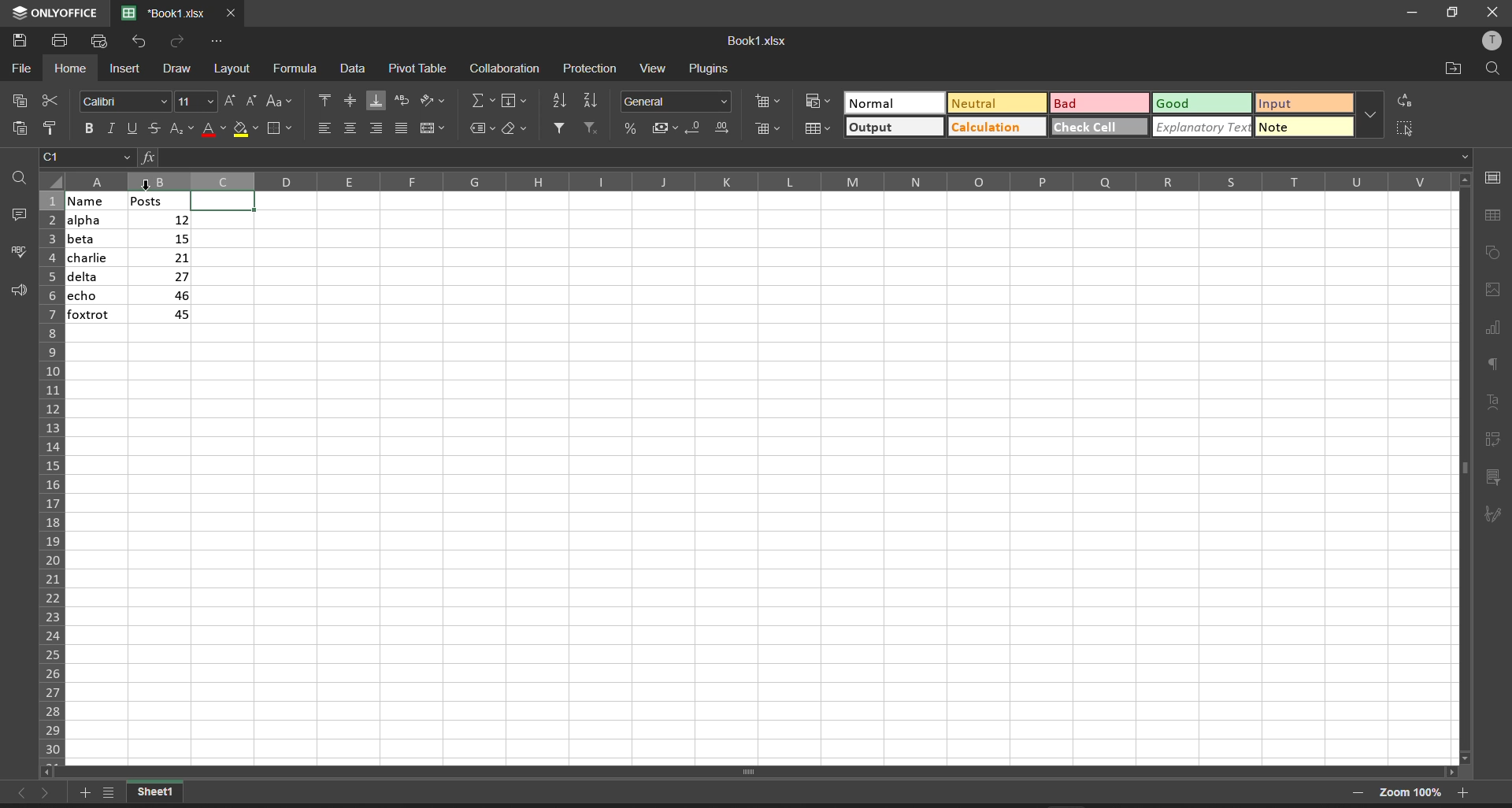 This screenshot has width=1512, height=808. Describe the element at coordinates (20, 291) in the screenshot. I see `support and feedback` at that location.